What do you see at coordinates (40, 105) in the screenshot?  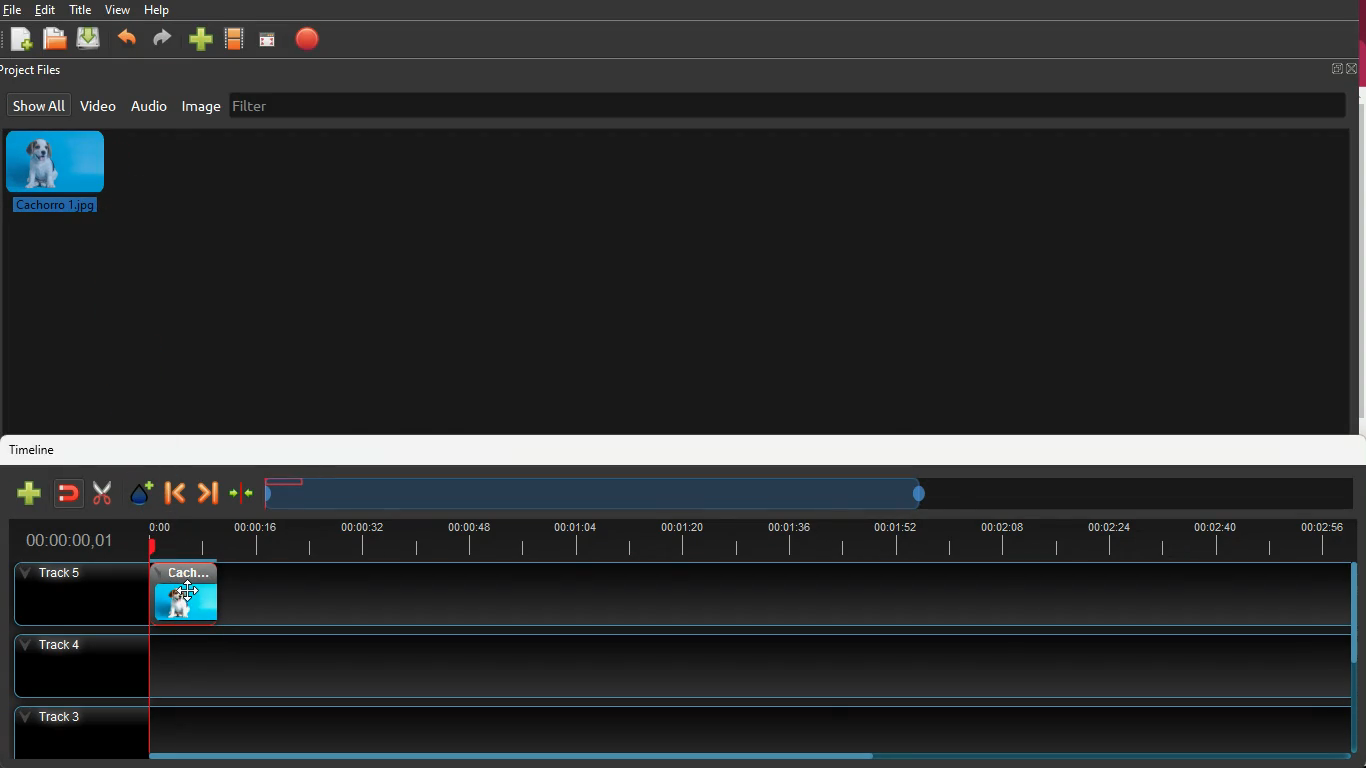 I see `show all` at bounding box center [40, 105].